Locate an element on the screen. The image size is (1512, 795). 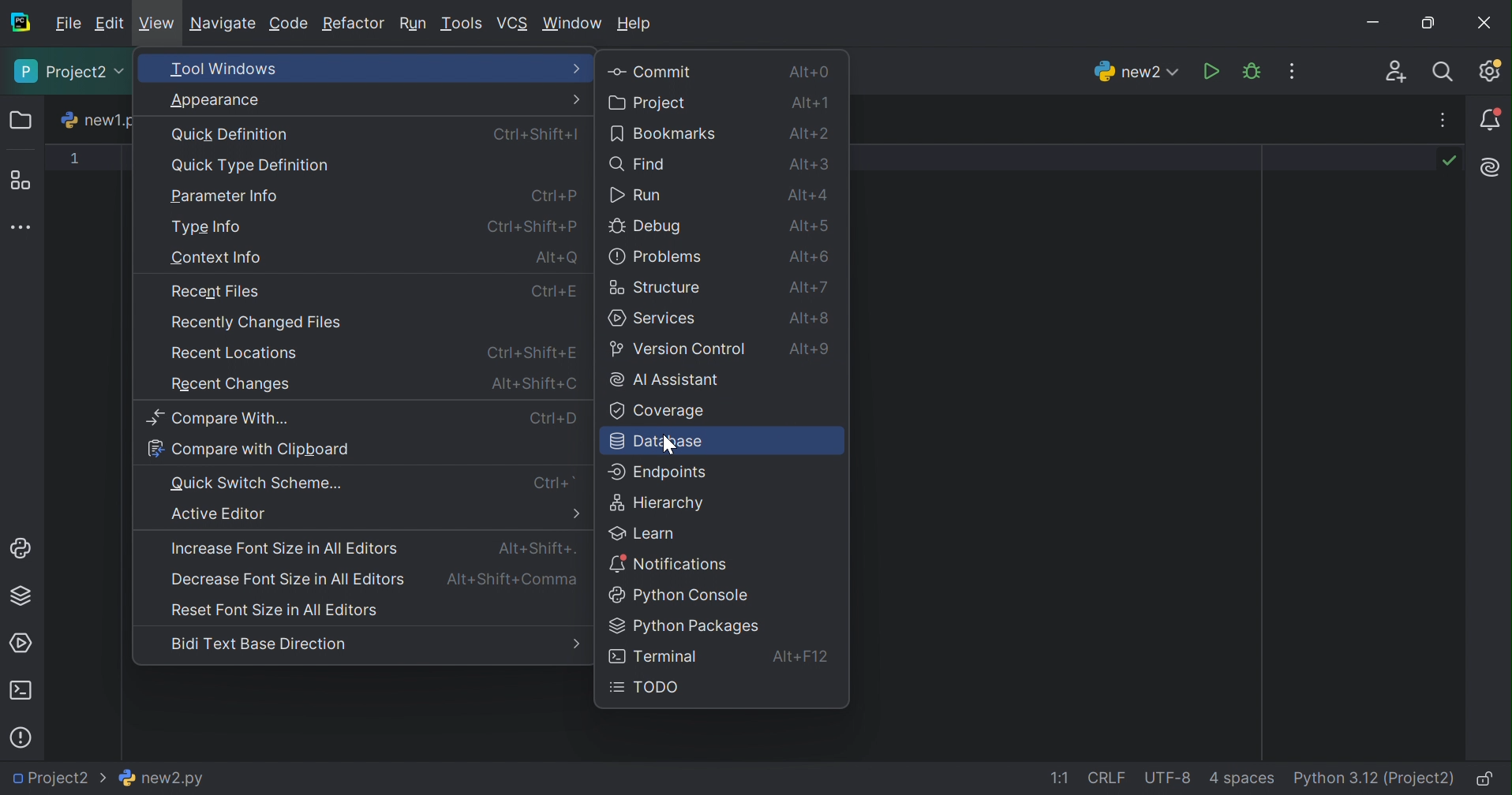
AI Assistant is located at coordinates (665, 380).